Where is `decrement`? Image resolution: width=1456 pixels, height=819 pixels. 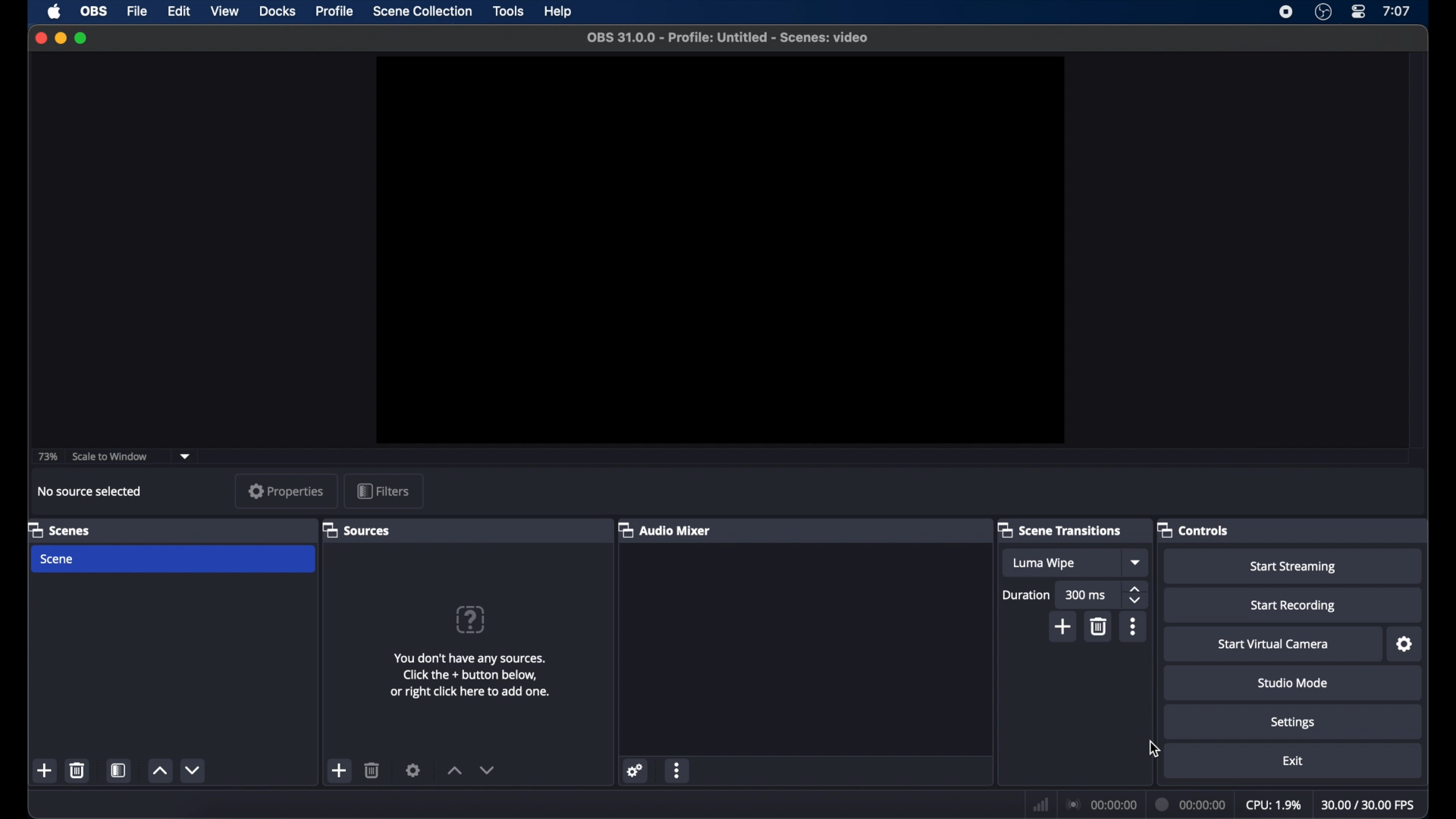 decrement is located at coordinates (193, 770).